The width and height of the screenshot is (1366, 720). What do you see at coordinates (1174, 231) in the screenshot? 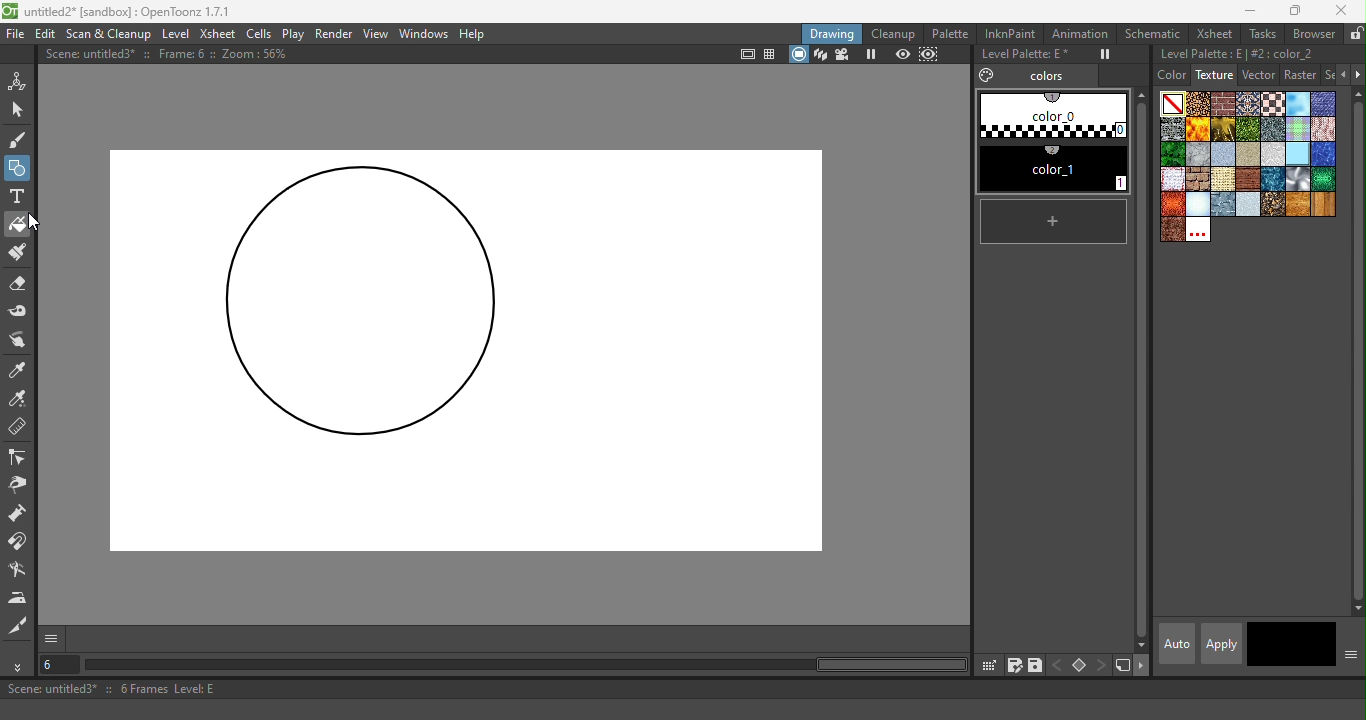
I see `wornleather.bmp` at bounding box center [1174, 231].